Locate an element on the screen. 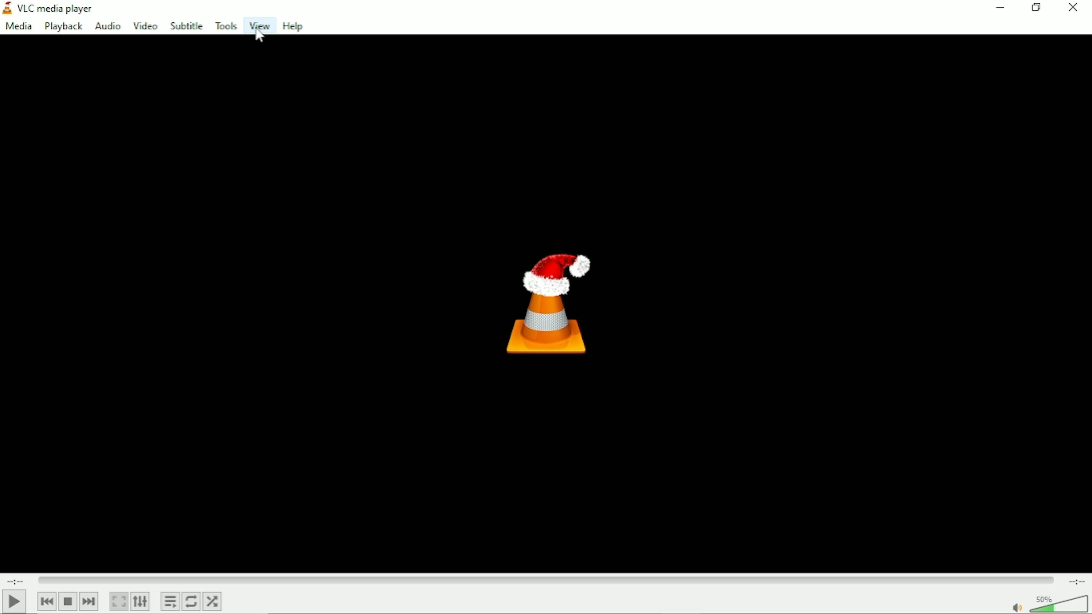 Image resolution: width=1092 pixels, height=614 pixels. Video is located at coordinates (144, 25).